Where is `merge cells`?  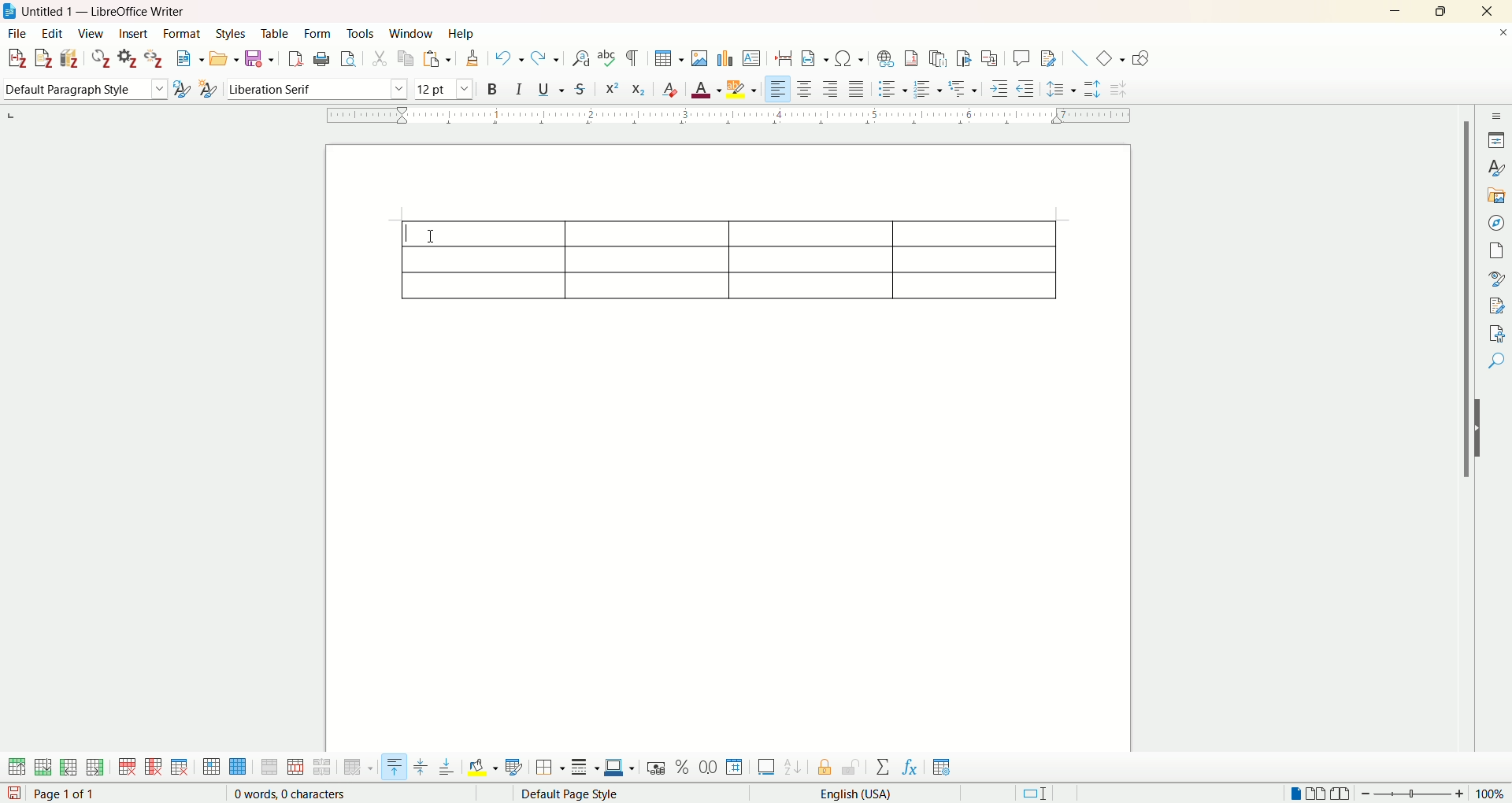
merge cells is located at coordinates (270, 770).